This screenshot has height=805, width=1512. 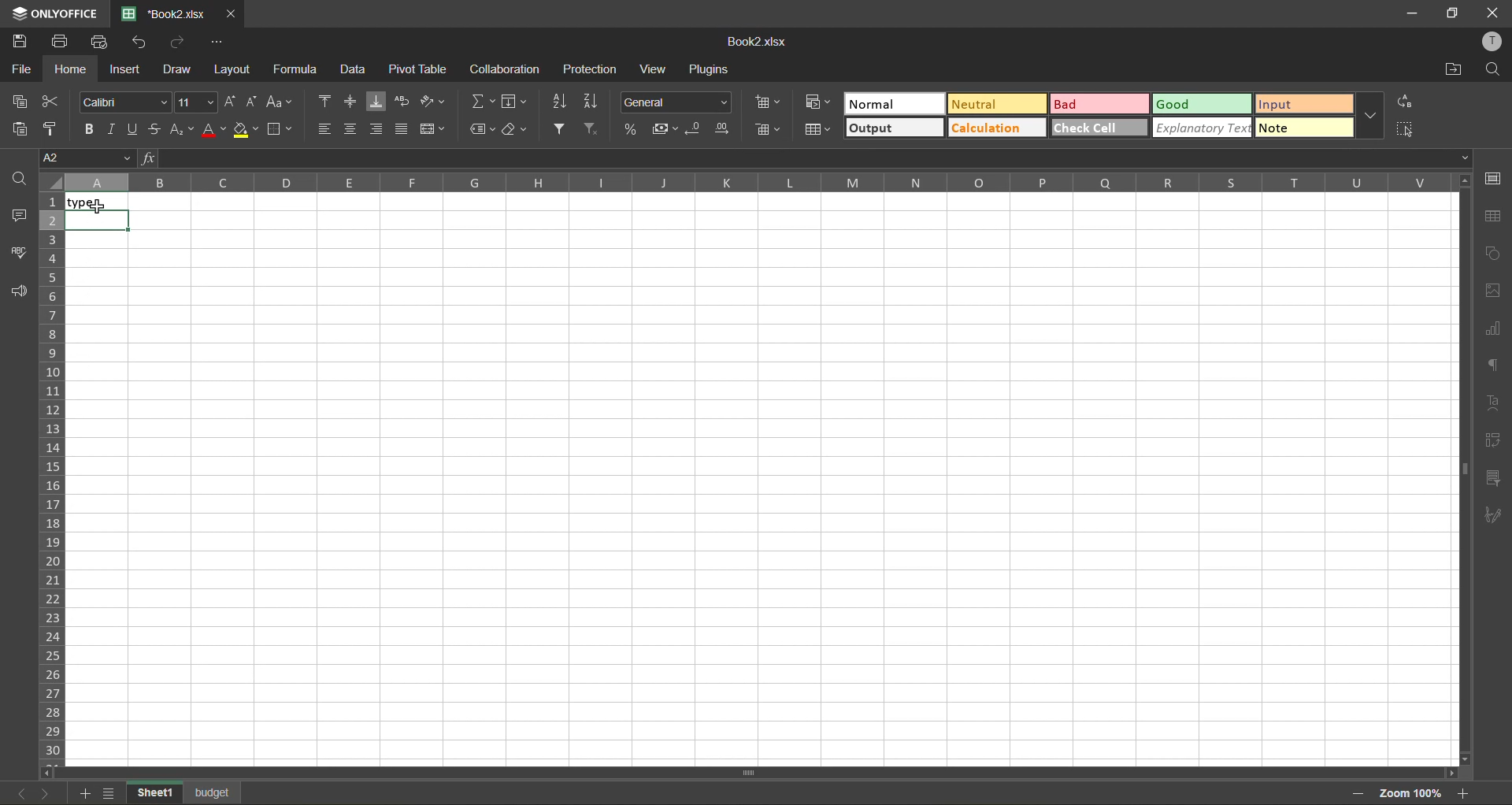 I want to click on spellcheck, so click(x=17, y=253).